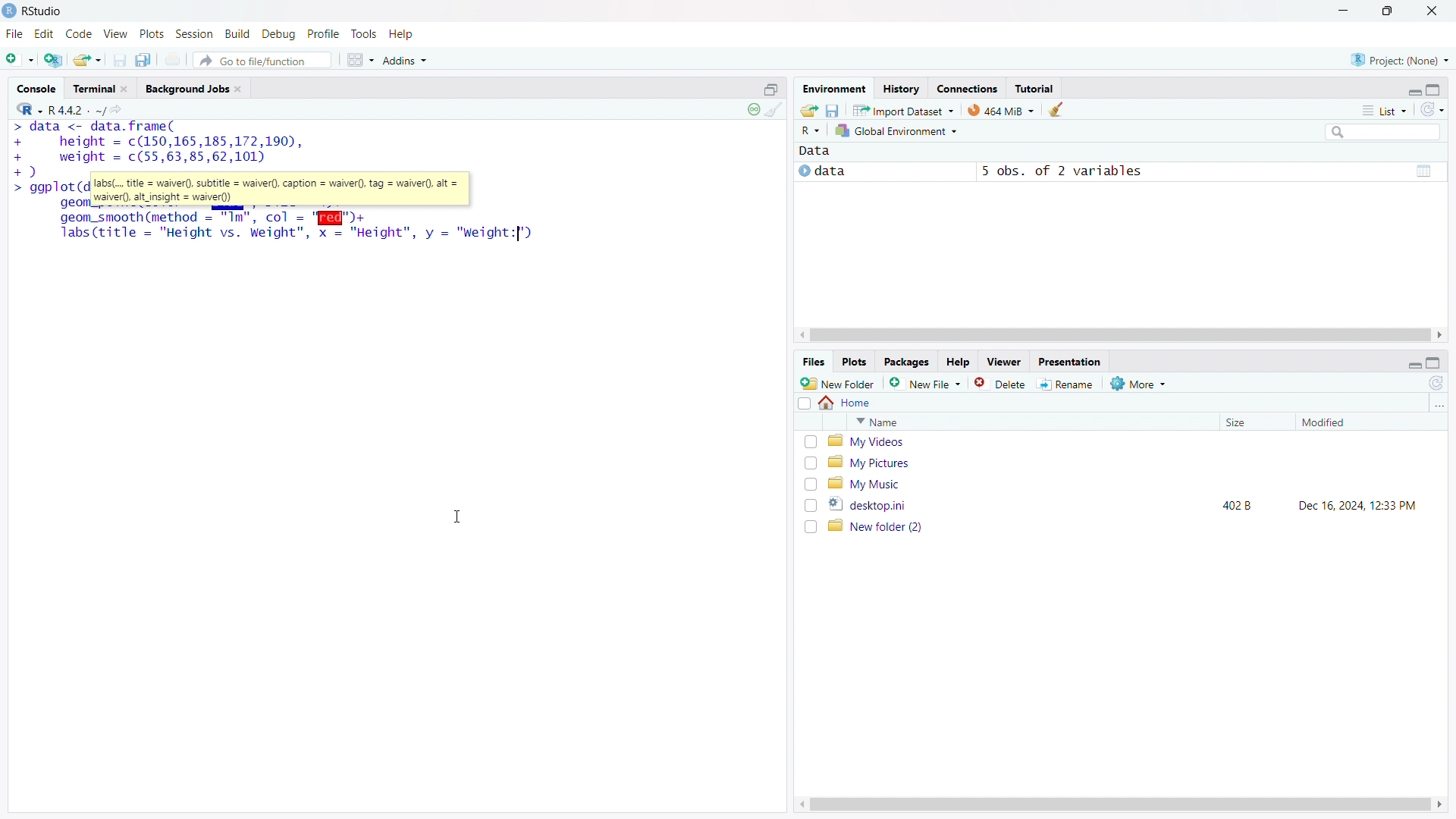 This screenshot has width=1456, height=819. I want to click on my music, so click(1130, 483).